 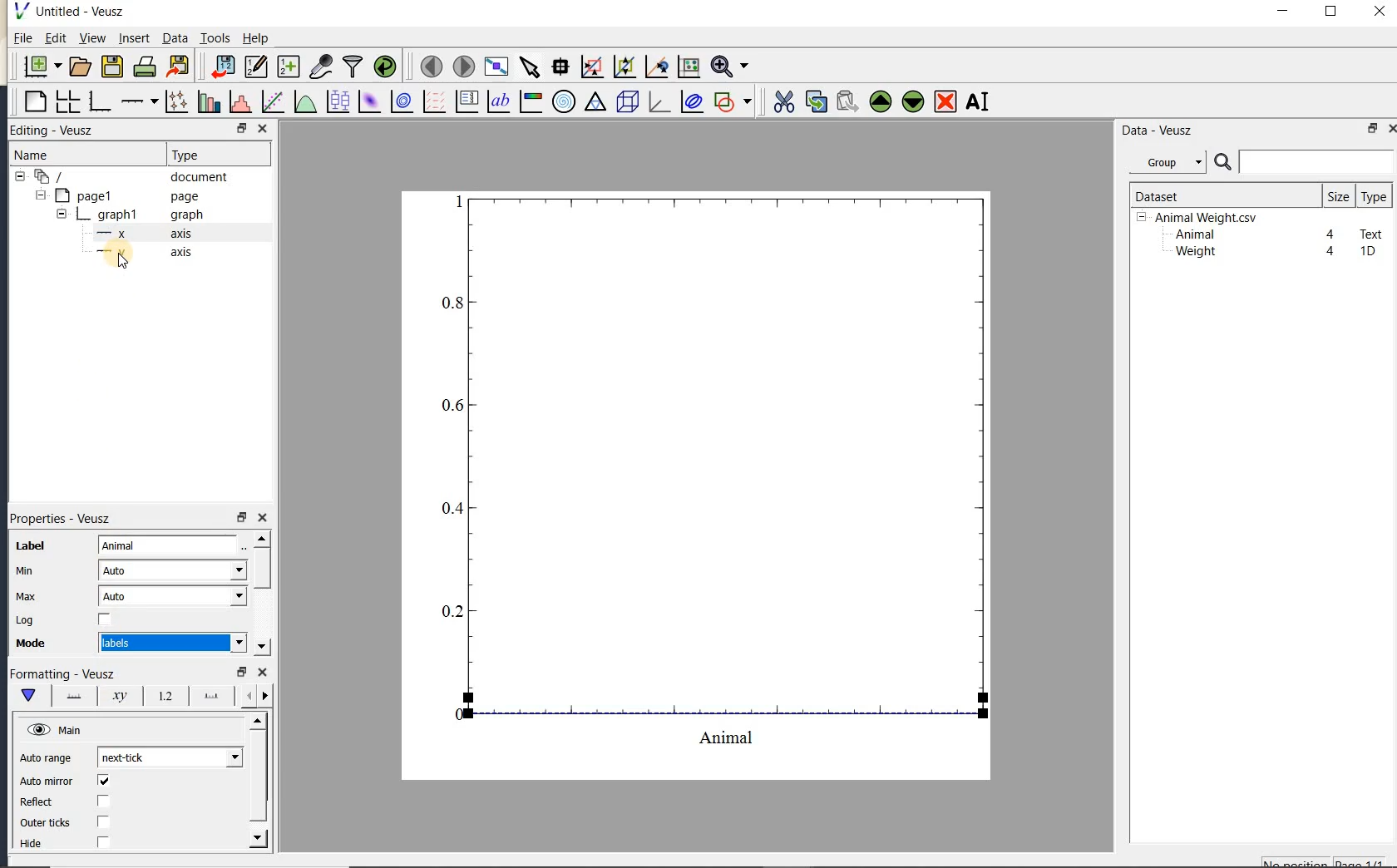 I want to click on main formatting, so click(x=27, y=695).